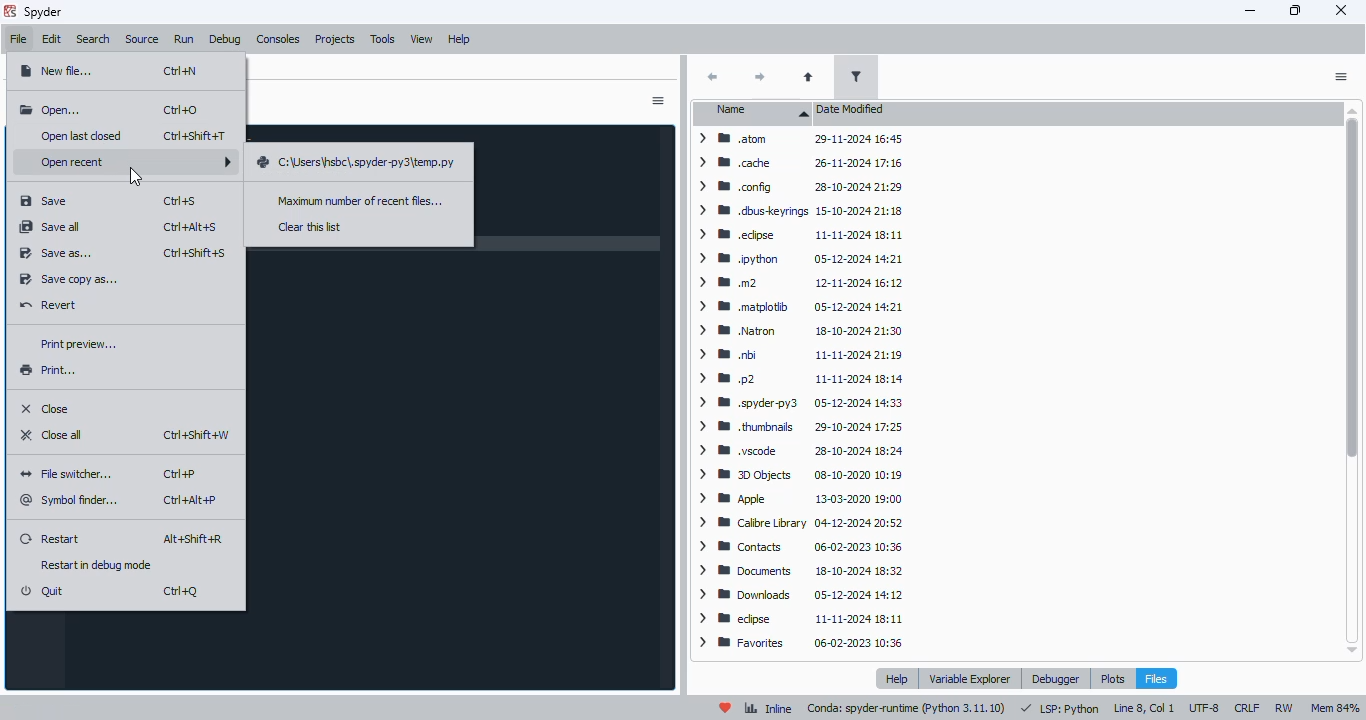 The width and height of the screenshot is (1366, 720). I want to click on debugger, so click(1054, 678).